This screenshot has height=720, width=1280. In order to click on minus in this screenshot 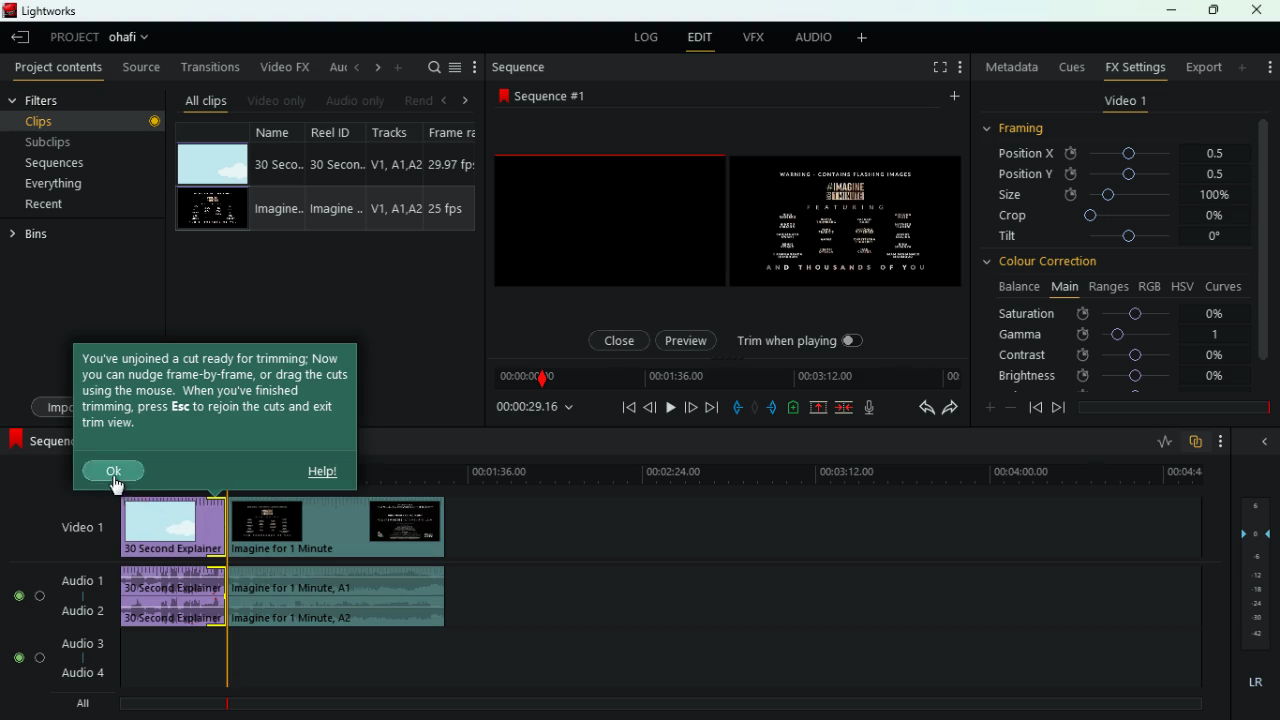, I will do `click(1014, 408)`.